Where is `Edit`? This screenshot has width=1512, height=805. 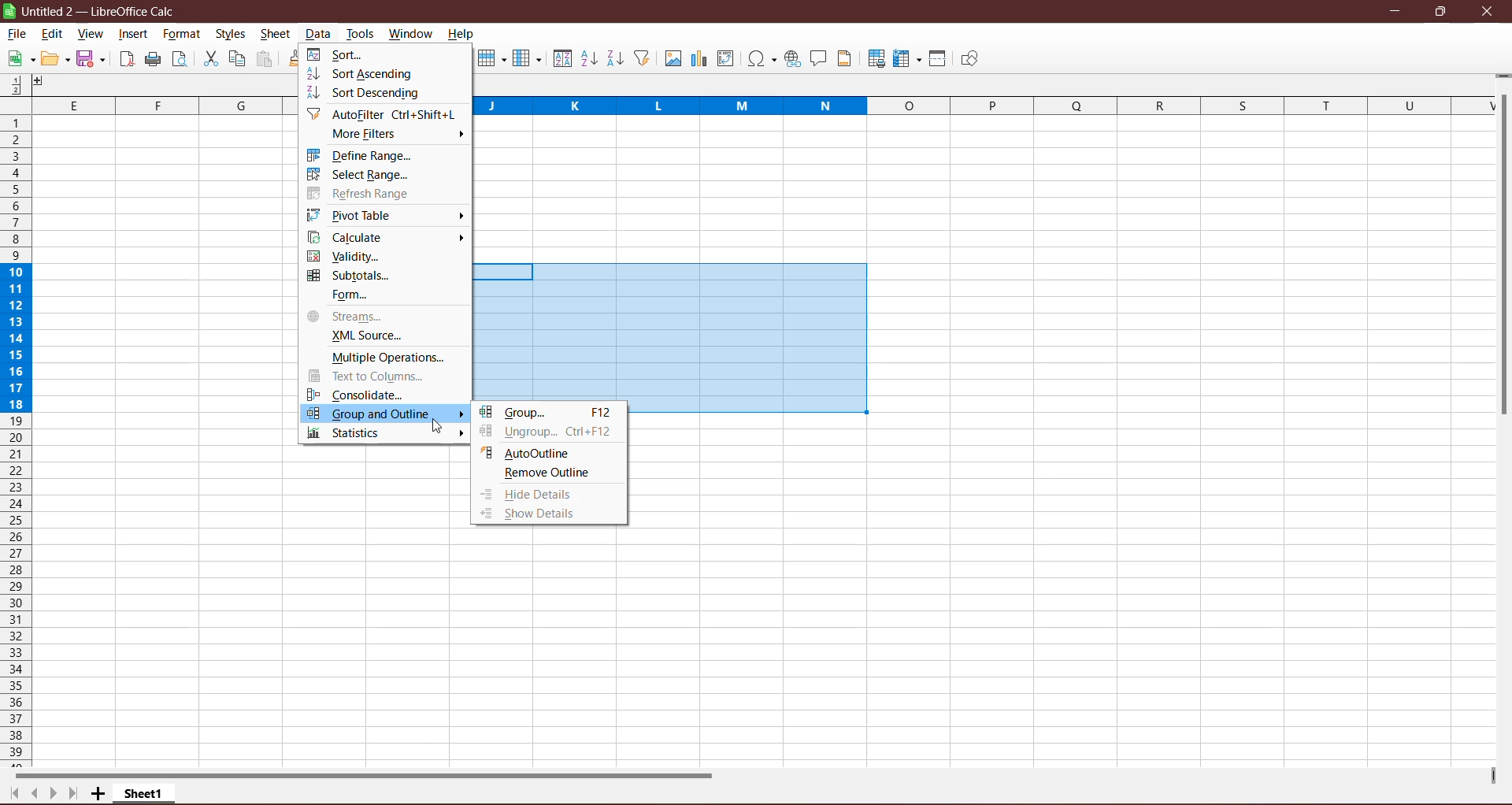
Edit is located at coordinates (53, 35).